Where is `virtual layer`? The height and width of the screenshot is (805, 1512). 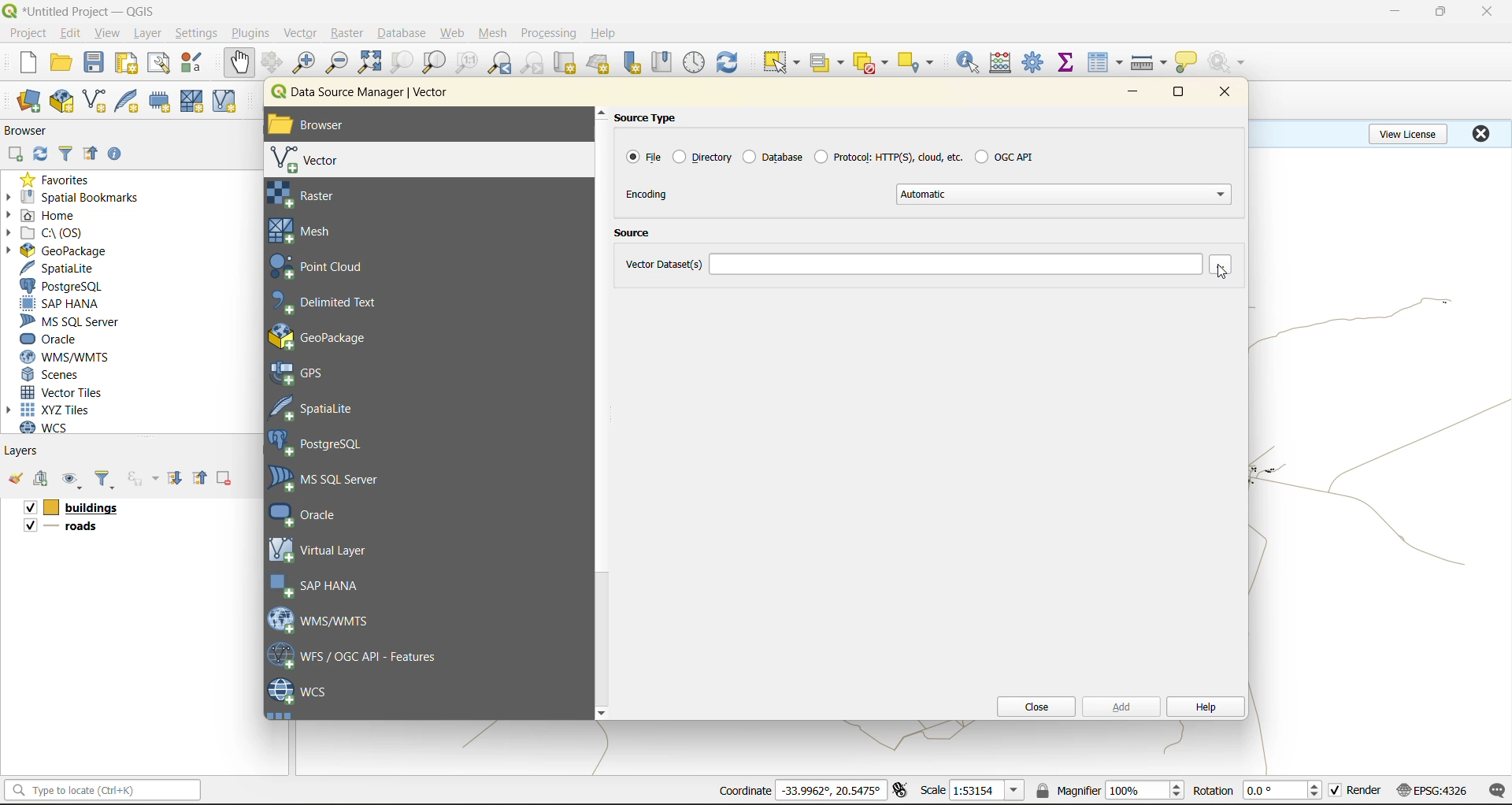
virtual layer is located at coordinates (322, 549).